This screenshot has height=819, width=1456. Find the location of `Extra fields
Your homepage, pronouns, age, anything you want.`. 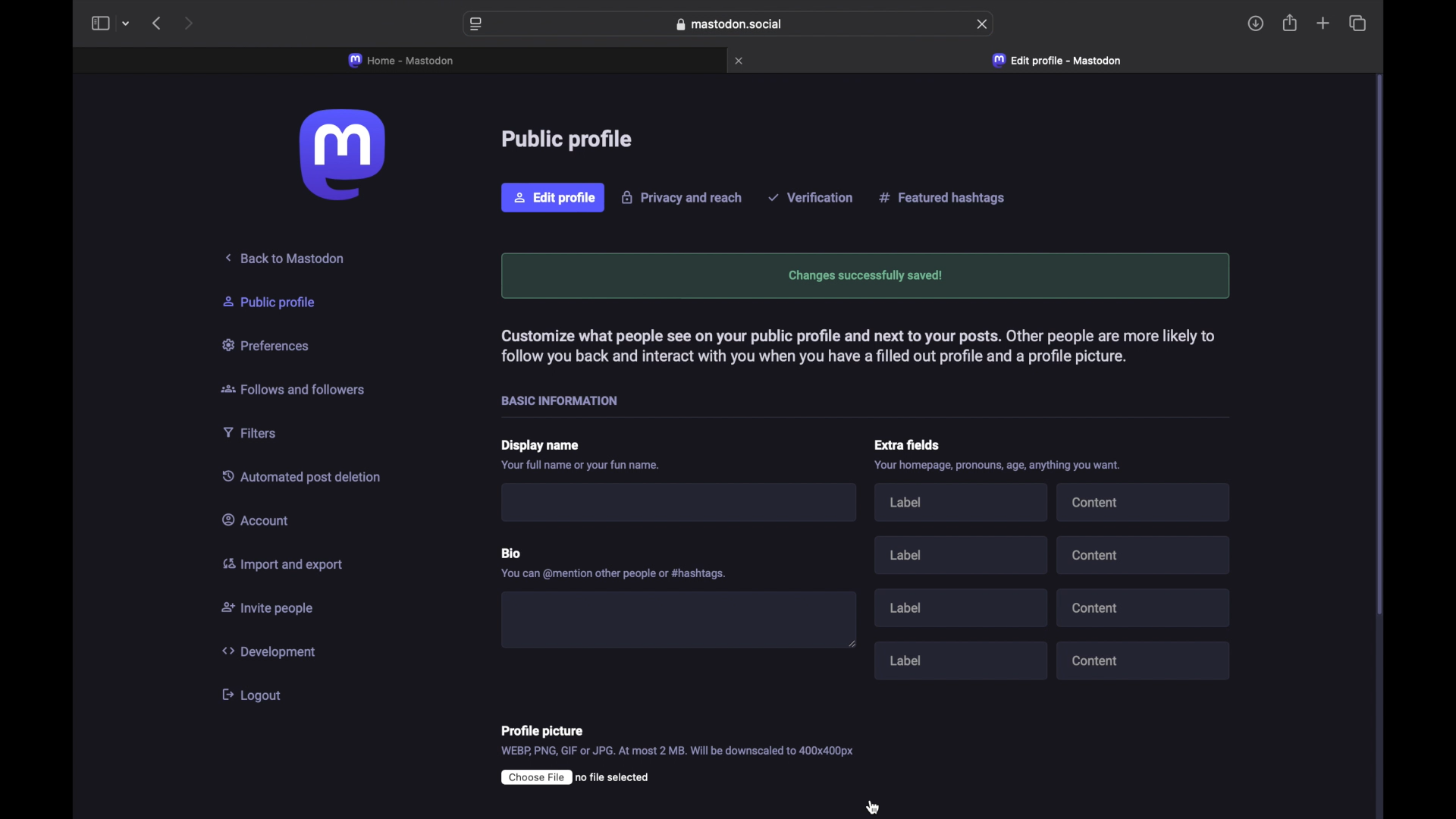

Extra fields
Your homepage, pronouns, age, anything you want. is located at coordinates (999, 457).